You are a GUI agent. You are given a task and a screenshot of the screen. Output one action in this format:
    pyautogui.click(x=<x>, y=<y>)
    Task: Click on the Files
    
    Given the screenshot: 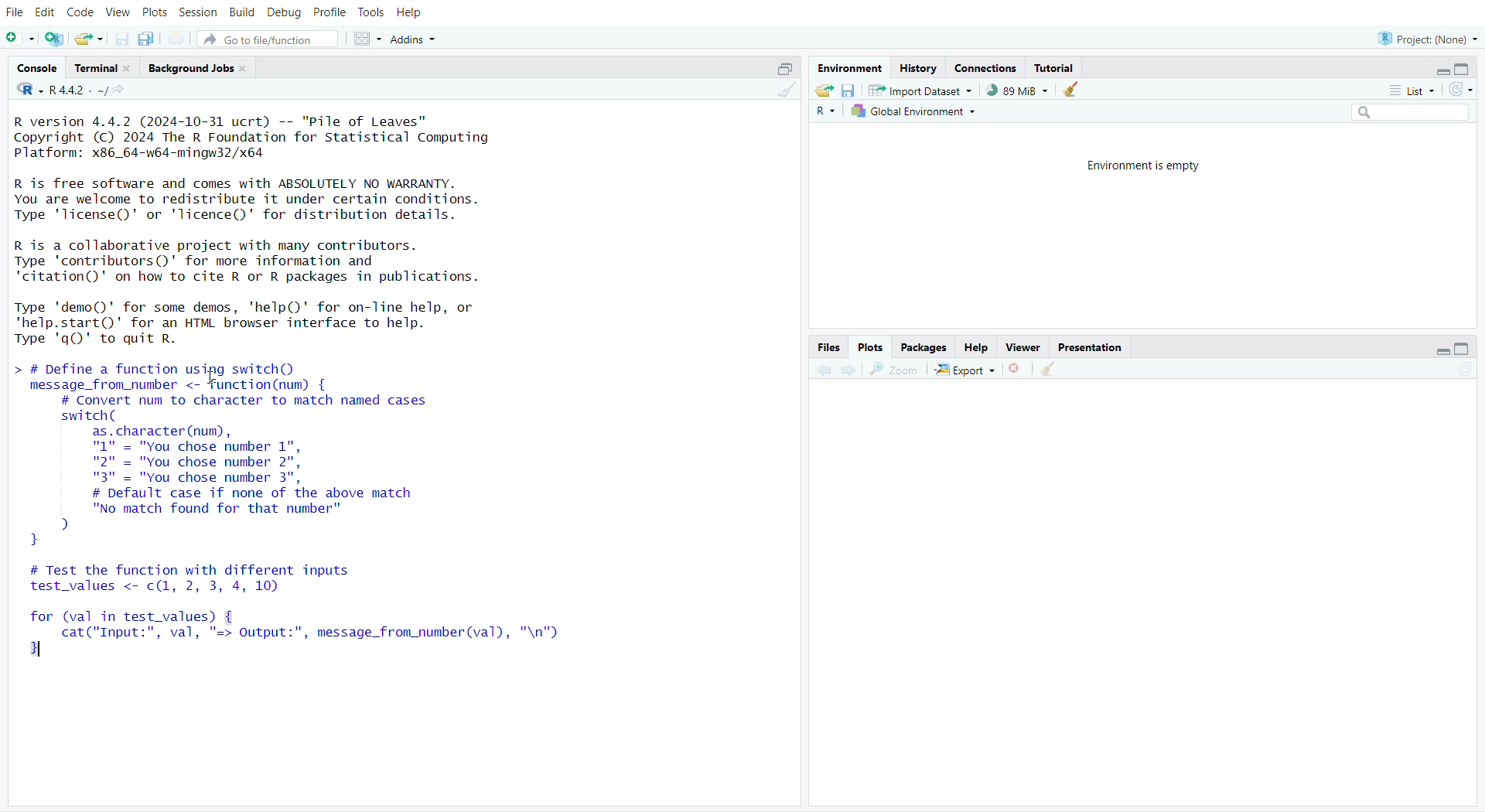 What is the action you would take?
    pyautogui.click(x=828, y=346)
    